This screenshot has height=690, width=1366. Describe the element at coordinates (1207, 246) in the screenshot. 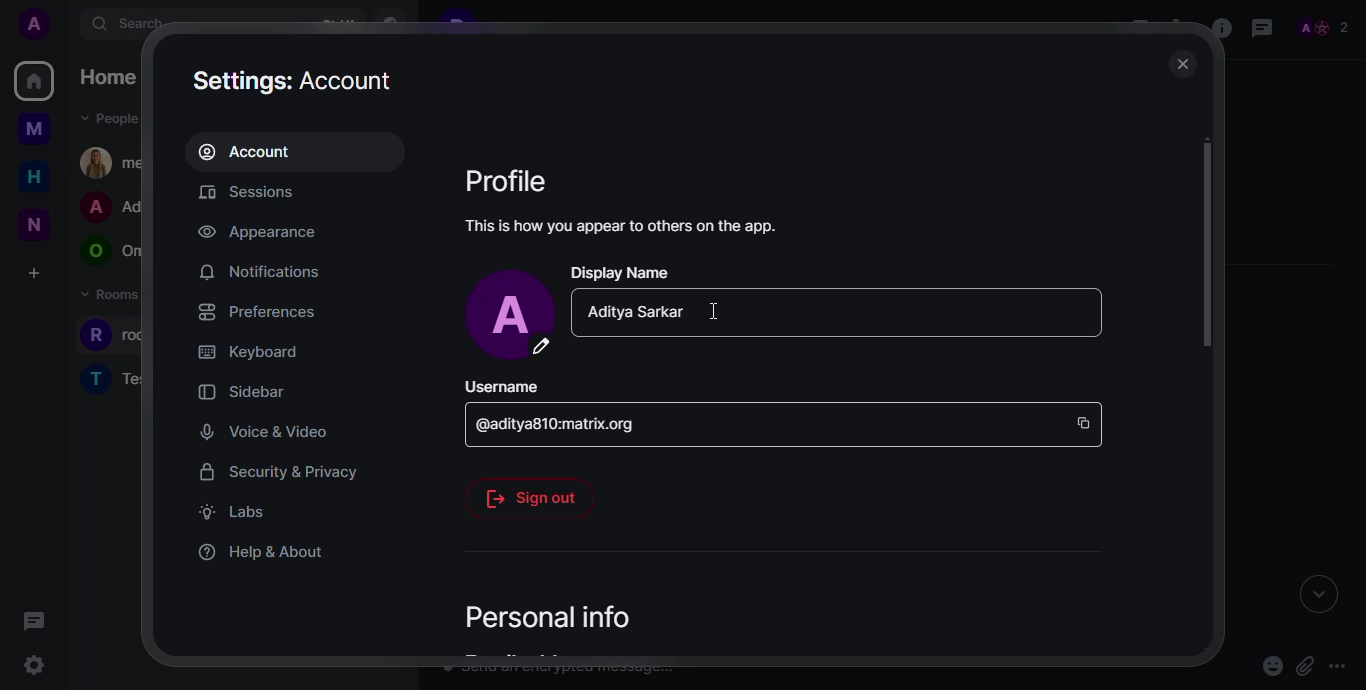

I see `scroll bar` at that location.